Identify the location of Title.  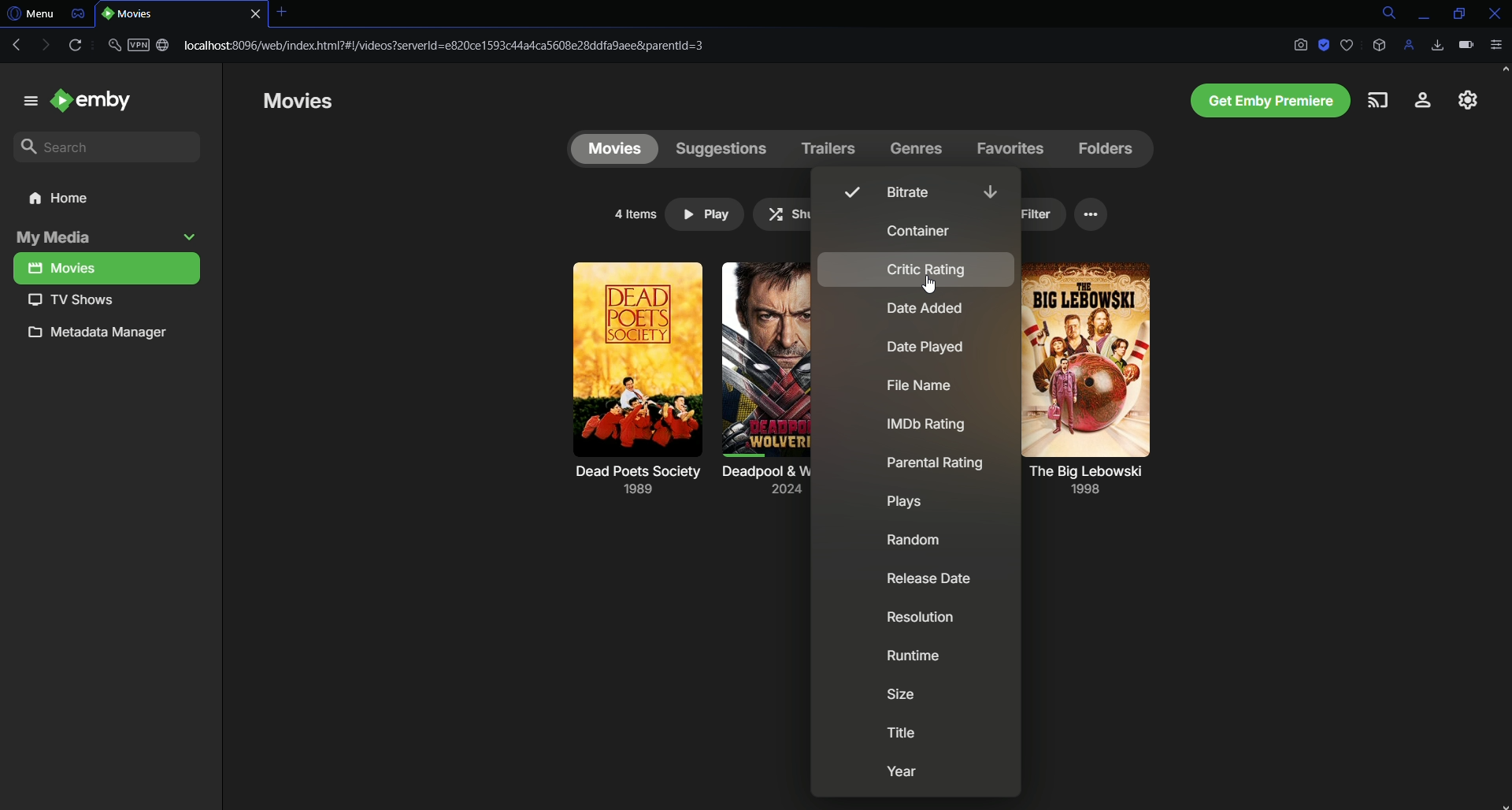
(901, 738).